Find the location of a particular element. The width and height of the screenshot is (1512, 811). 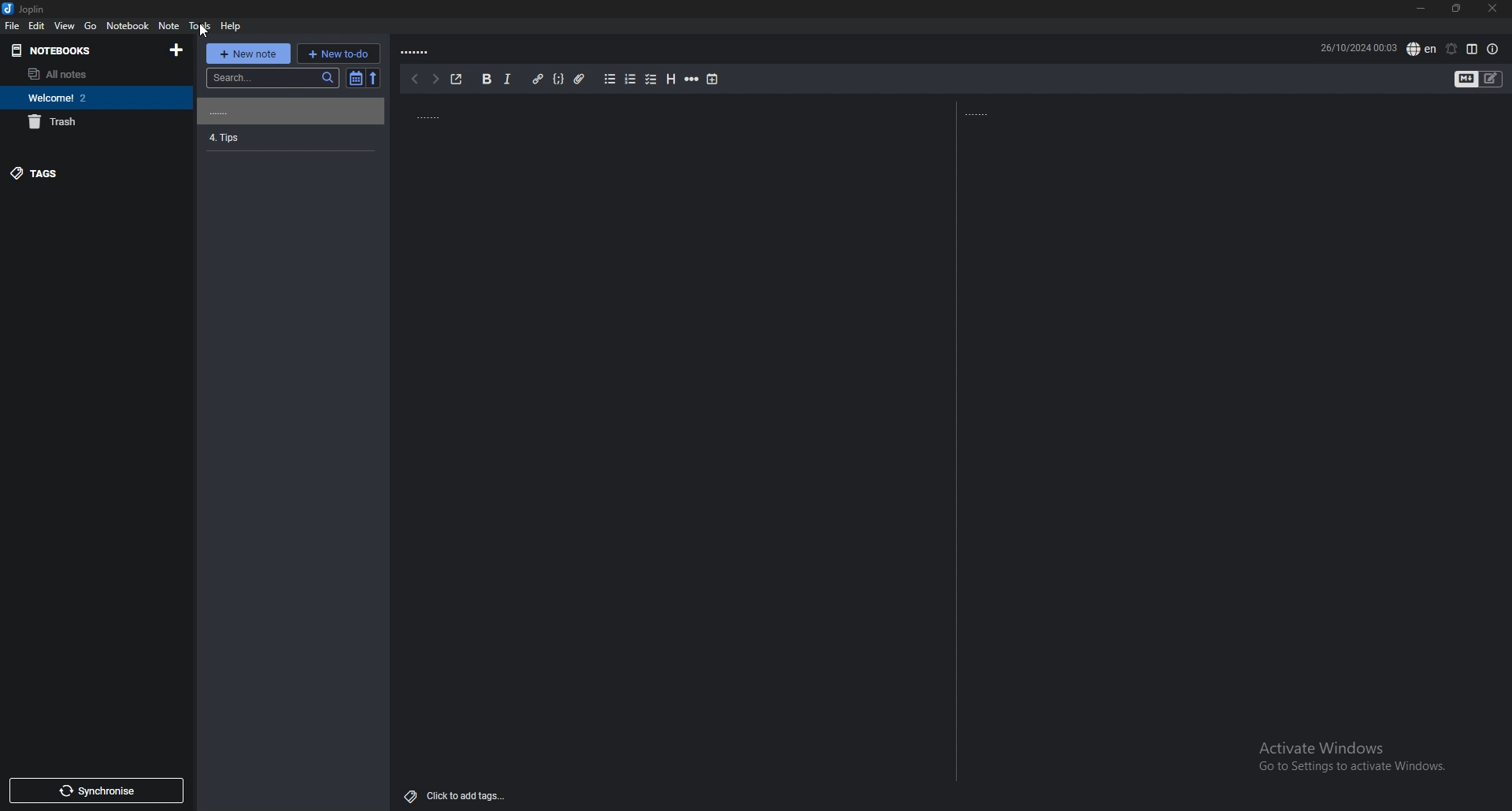

add tags is located at coordinates (458, 795).